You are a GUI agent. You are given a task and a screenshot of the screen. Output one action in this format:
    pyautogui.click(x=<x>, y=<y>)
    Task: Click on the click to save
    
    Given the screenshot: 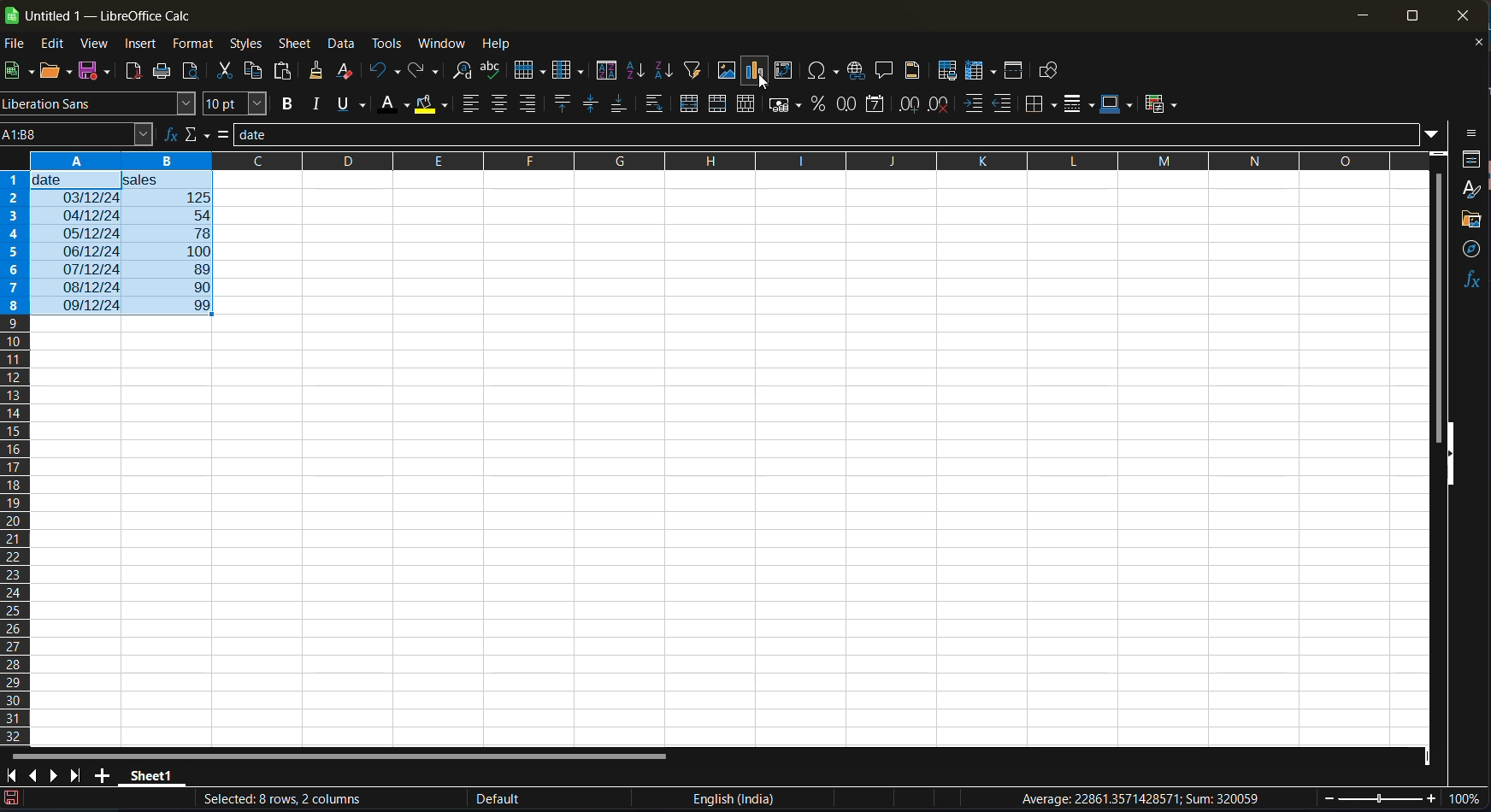 What is the action you would take?
    pyautogui.click(x=11, y=801)
    